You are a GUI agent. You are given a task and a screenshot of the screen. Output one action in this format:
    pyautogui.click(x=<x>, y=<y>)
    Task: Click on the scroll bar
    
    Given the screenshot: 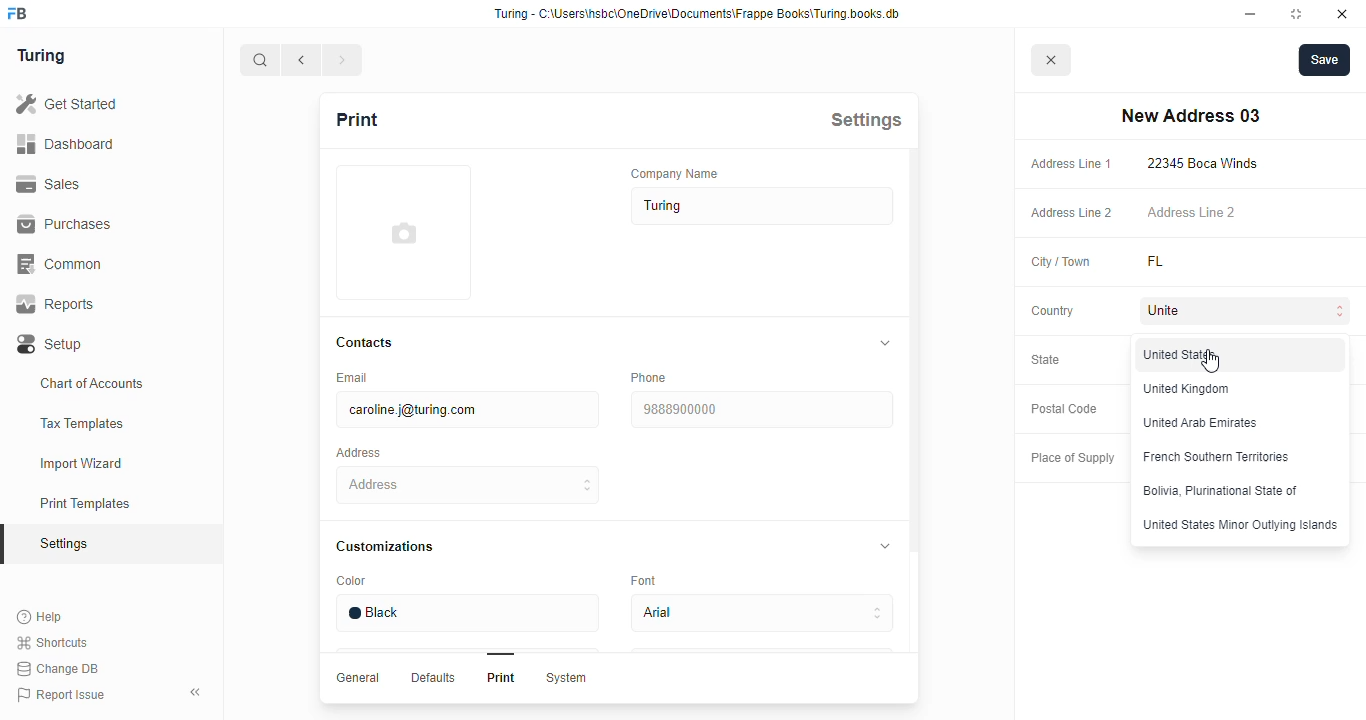 What is the action you would take?
    pyautogui.click(x=913, y=426)
    